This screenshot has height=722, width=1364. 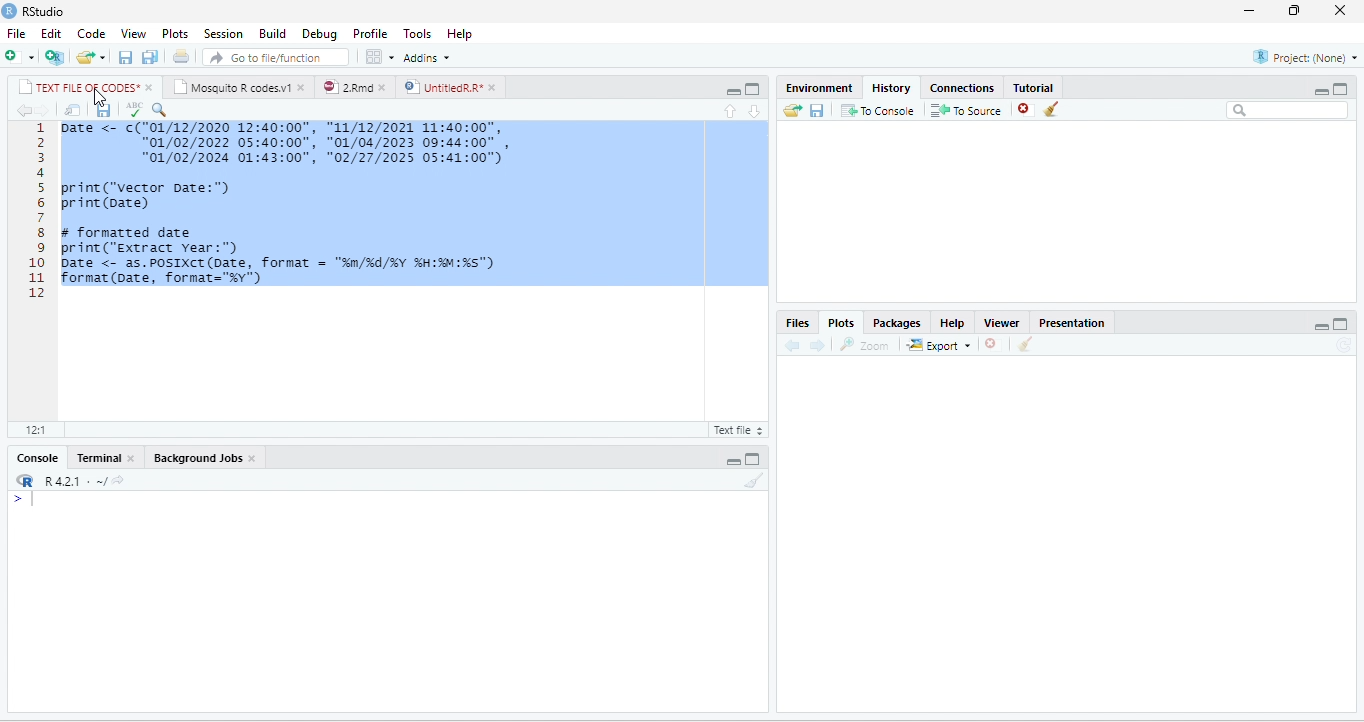 I want to click on open in new window, so click(x=74, y=110).